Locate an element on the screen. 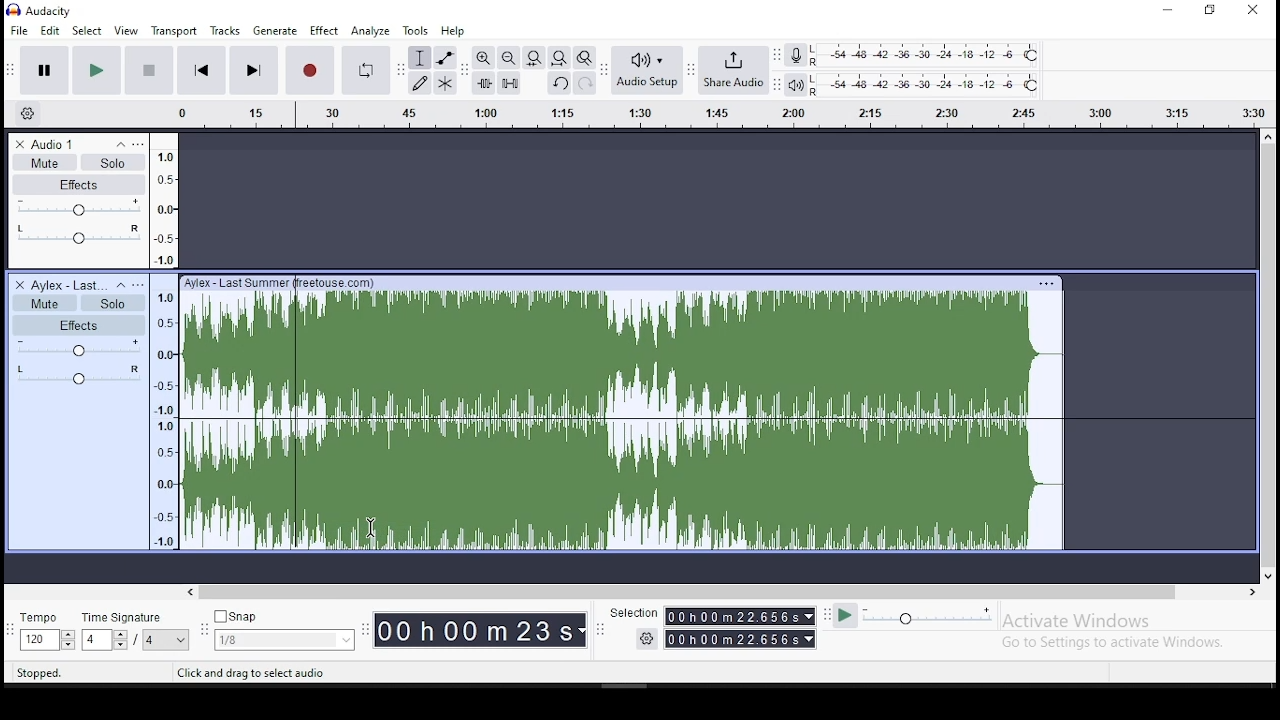 The width and height of the screenshot is (1280, 720). view is located at coordinates (127, 31).